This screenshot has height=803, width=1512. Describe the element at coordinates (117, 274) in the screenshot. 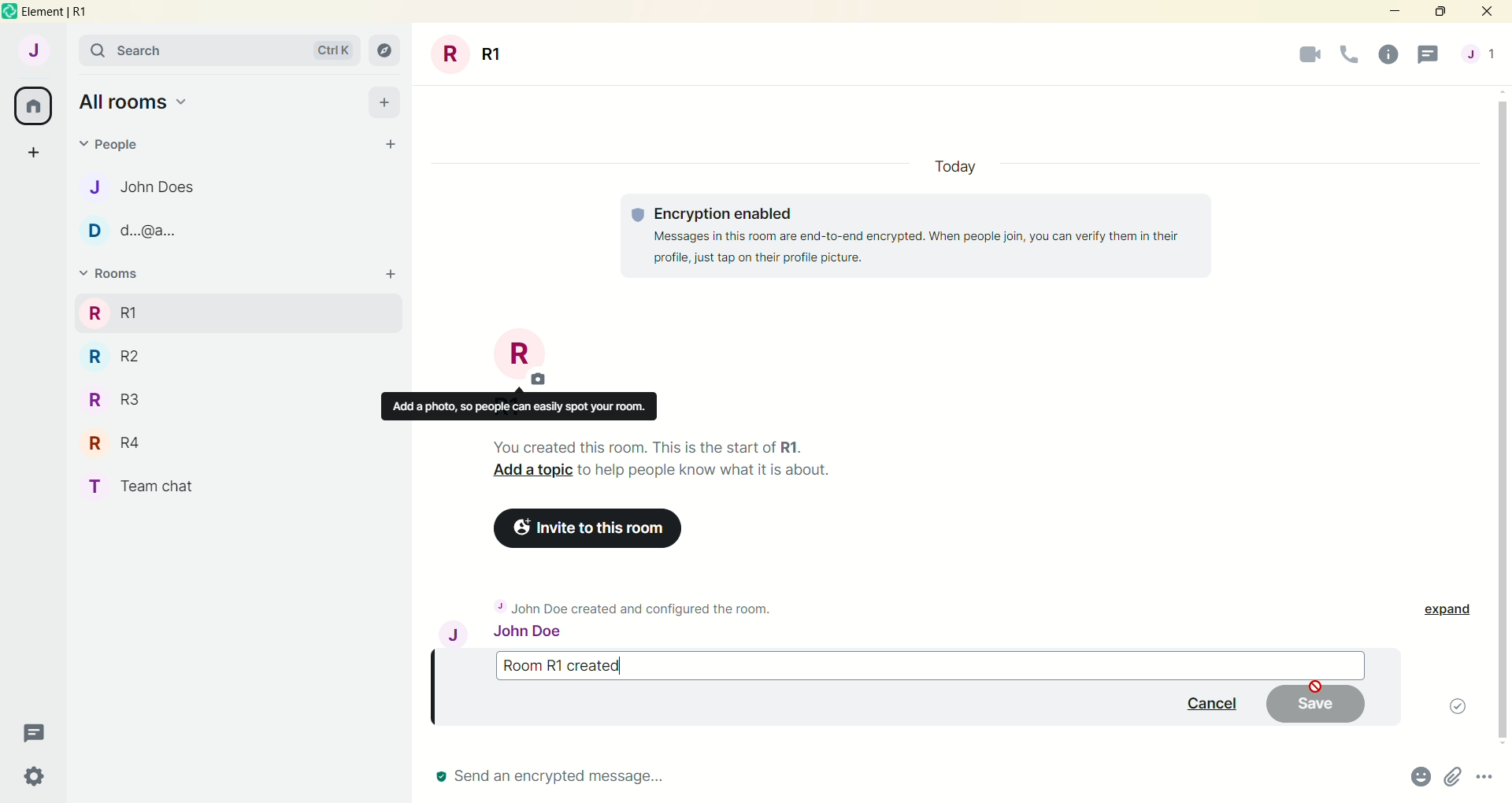

I see `rooms` at that location.